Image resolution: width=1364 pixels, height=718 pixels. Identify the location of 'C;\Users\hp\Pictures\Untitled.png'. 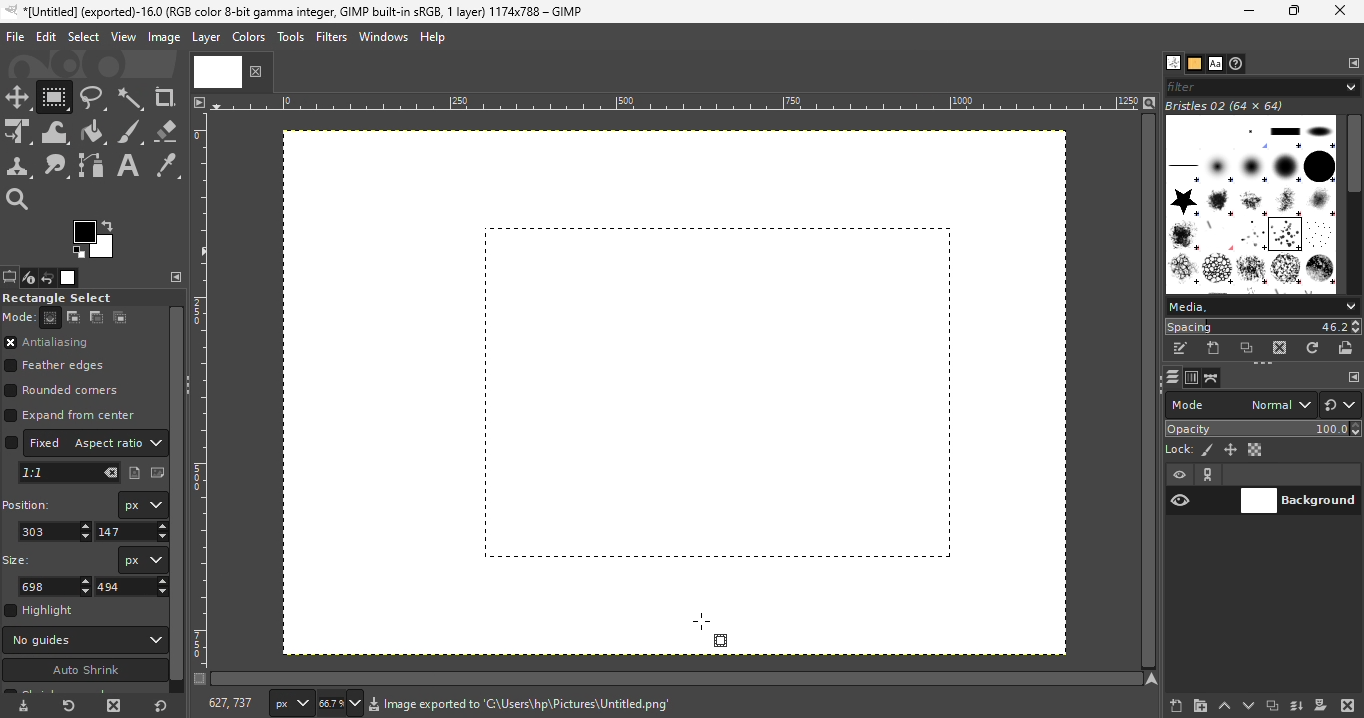
(589, 708).